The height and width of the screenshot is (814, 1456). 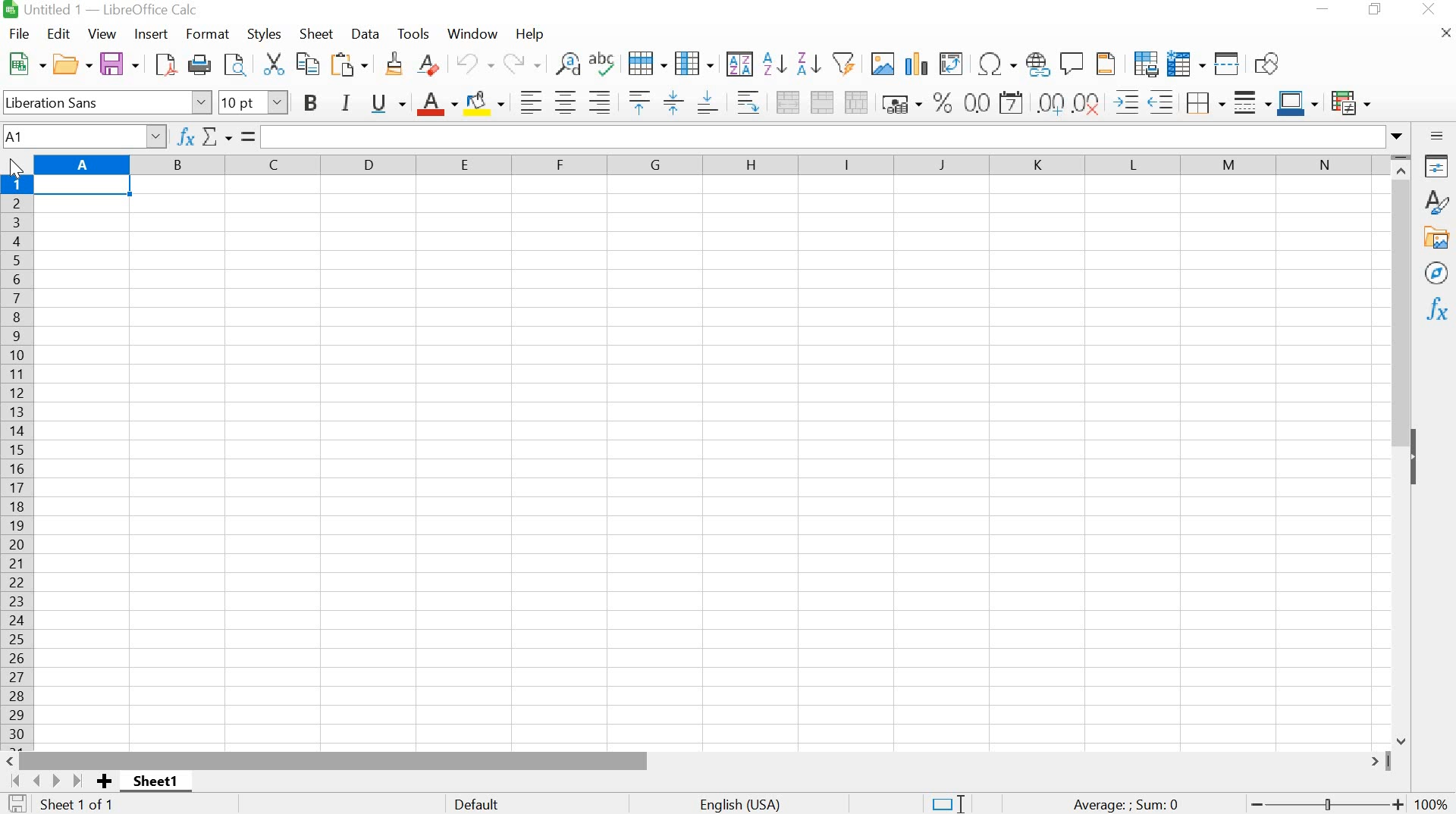 What do you see at coordinates (707, 105) in the screenshot?
I see `Align Bottom` at bounding box center [707, 105].